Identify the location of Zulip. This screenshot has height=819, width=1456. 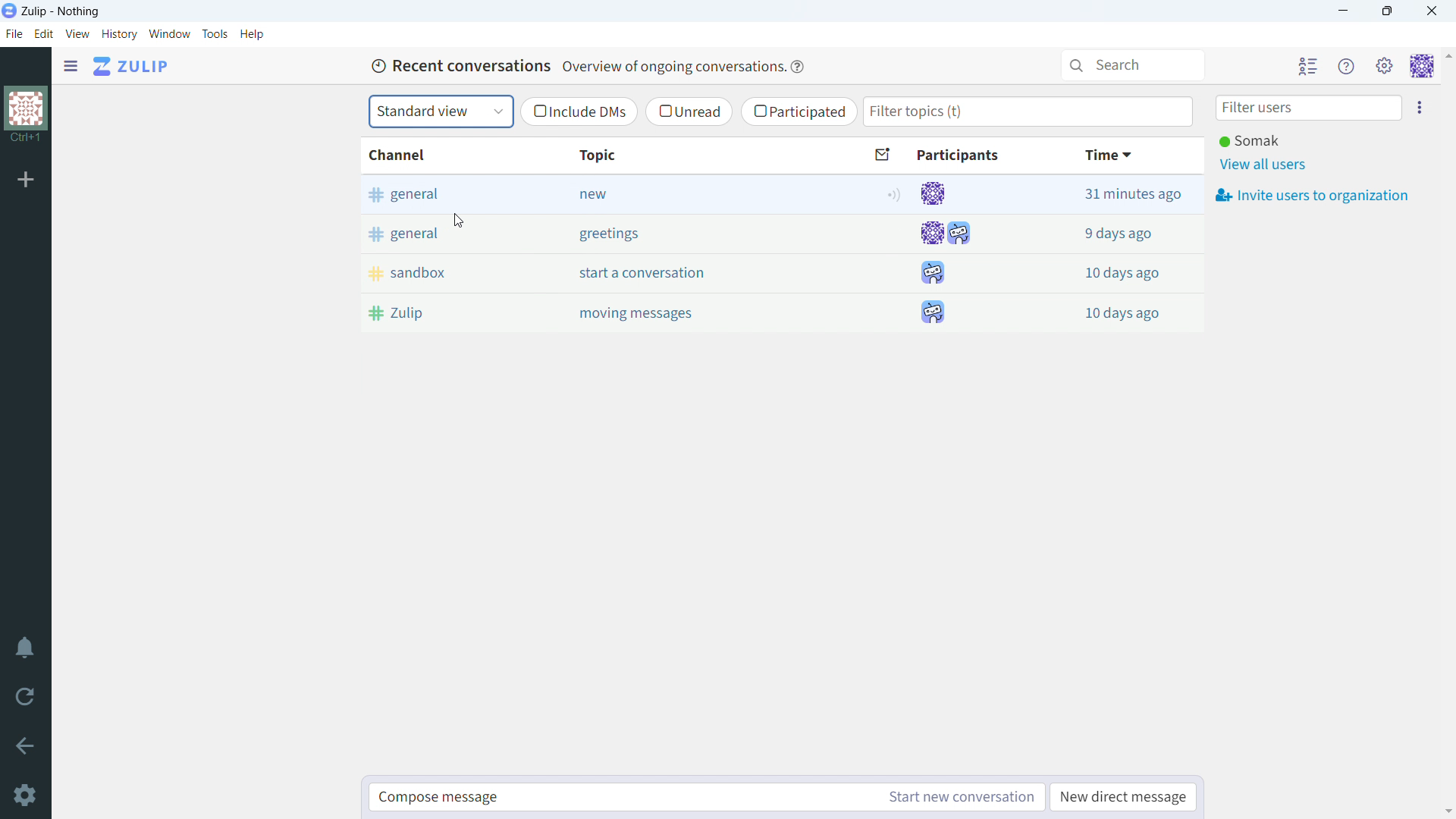
(444, 312).